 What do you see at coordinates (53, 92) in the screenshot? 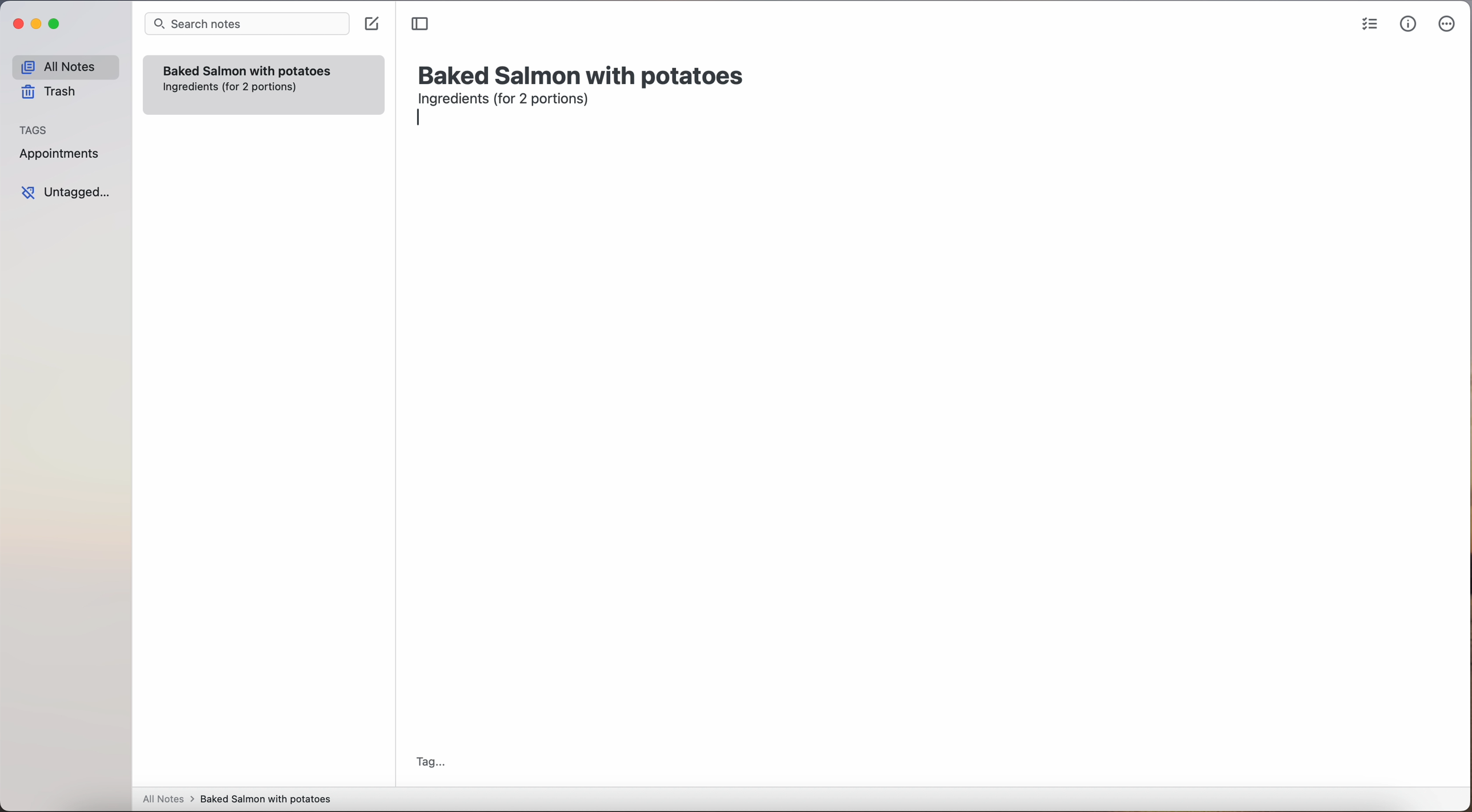
I see `trash` at bounding box center [53, 92].